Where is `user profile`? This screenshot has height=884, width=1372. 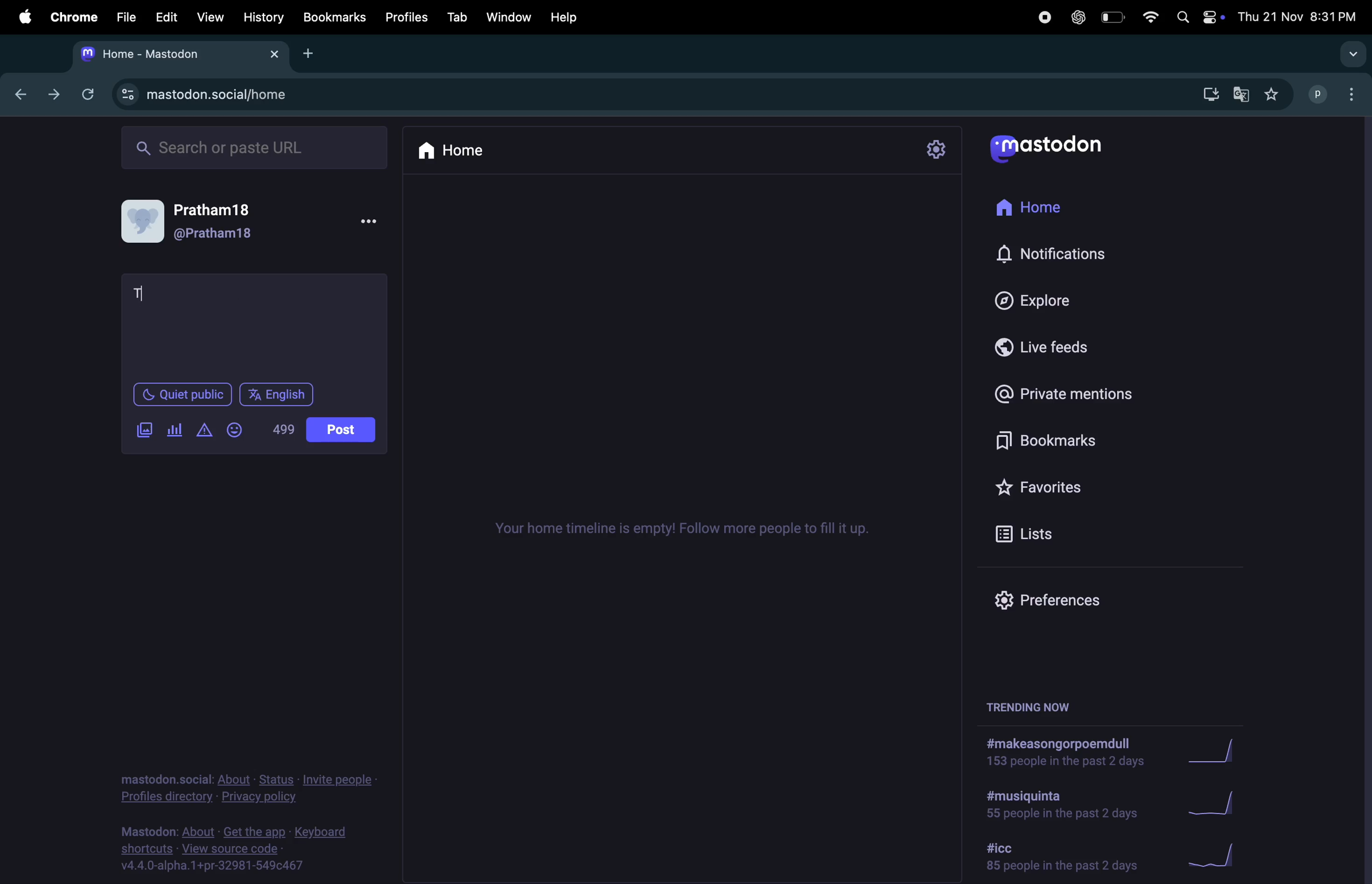 user profile is located at coordinates (145, 222).